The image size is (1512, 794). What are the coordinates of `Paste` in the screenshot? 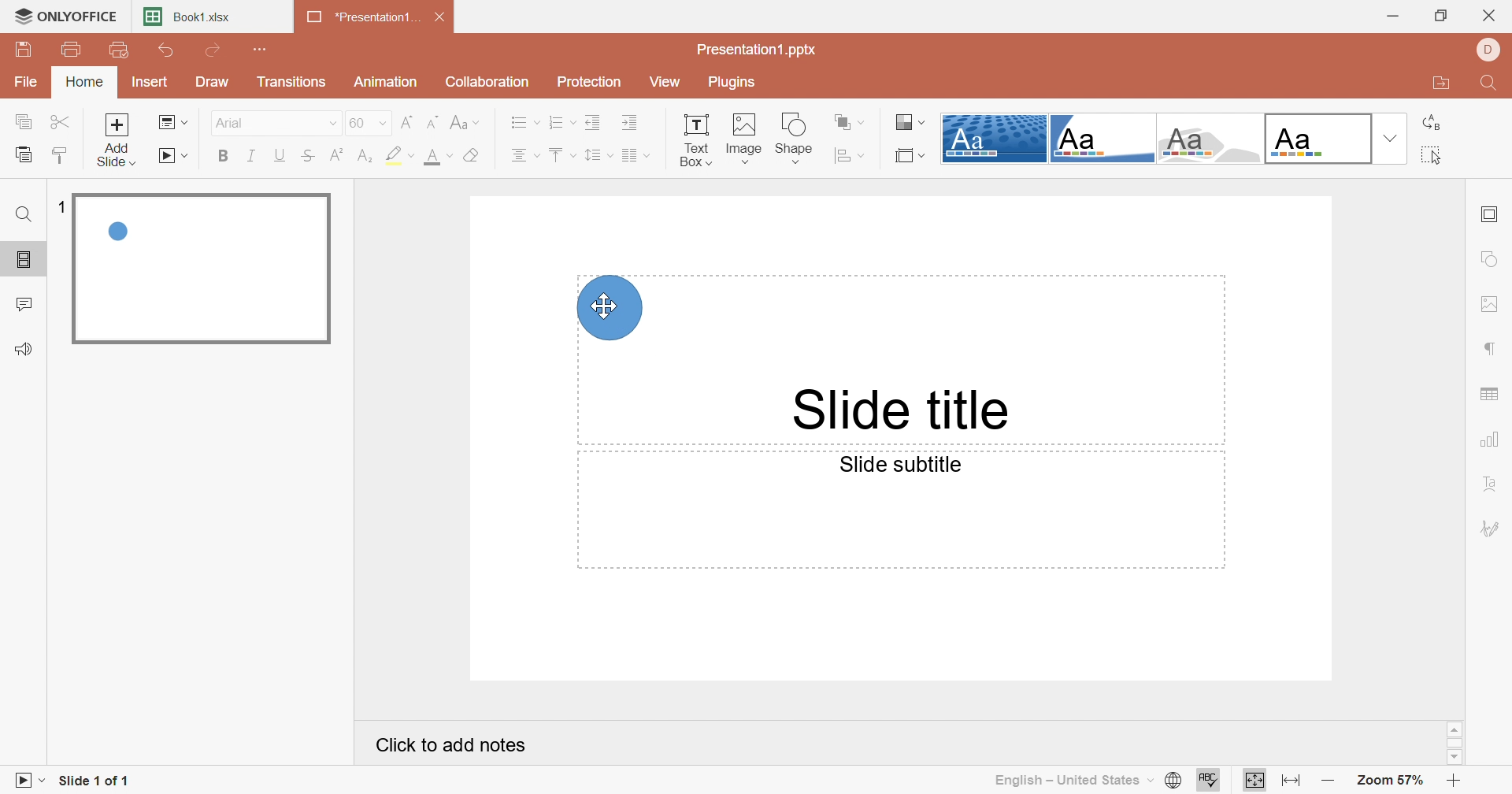 It's located at (24, 154).